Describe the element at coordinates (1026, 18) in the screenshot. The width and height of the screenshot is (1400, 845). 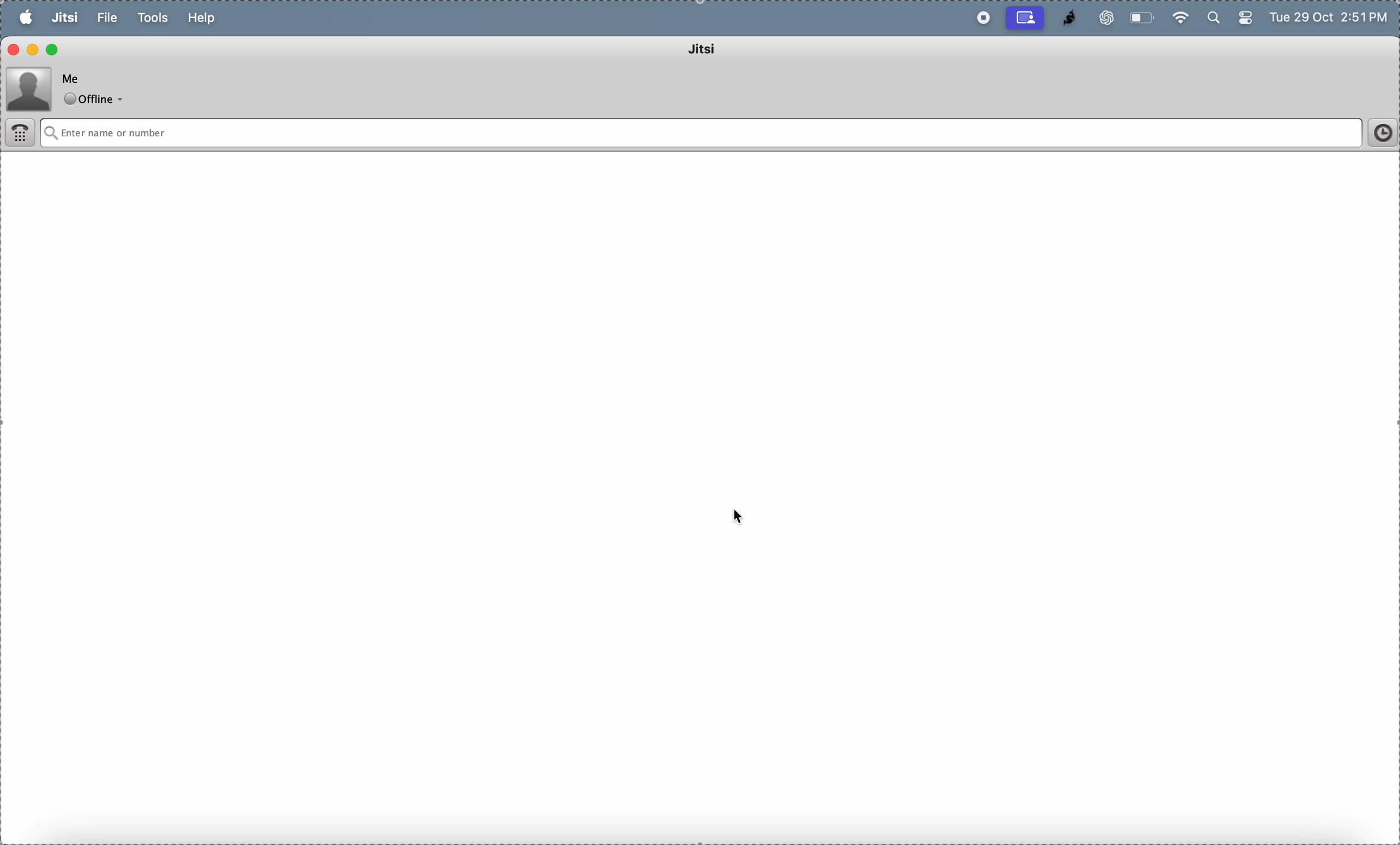
I see `cast` at that location.